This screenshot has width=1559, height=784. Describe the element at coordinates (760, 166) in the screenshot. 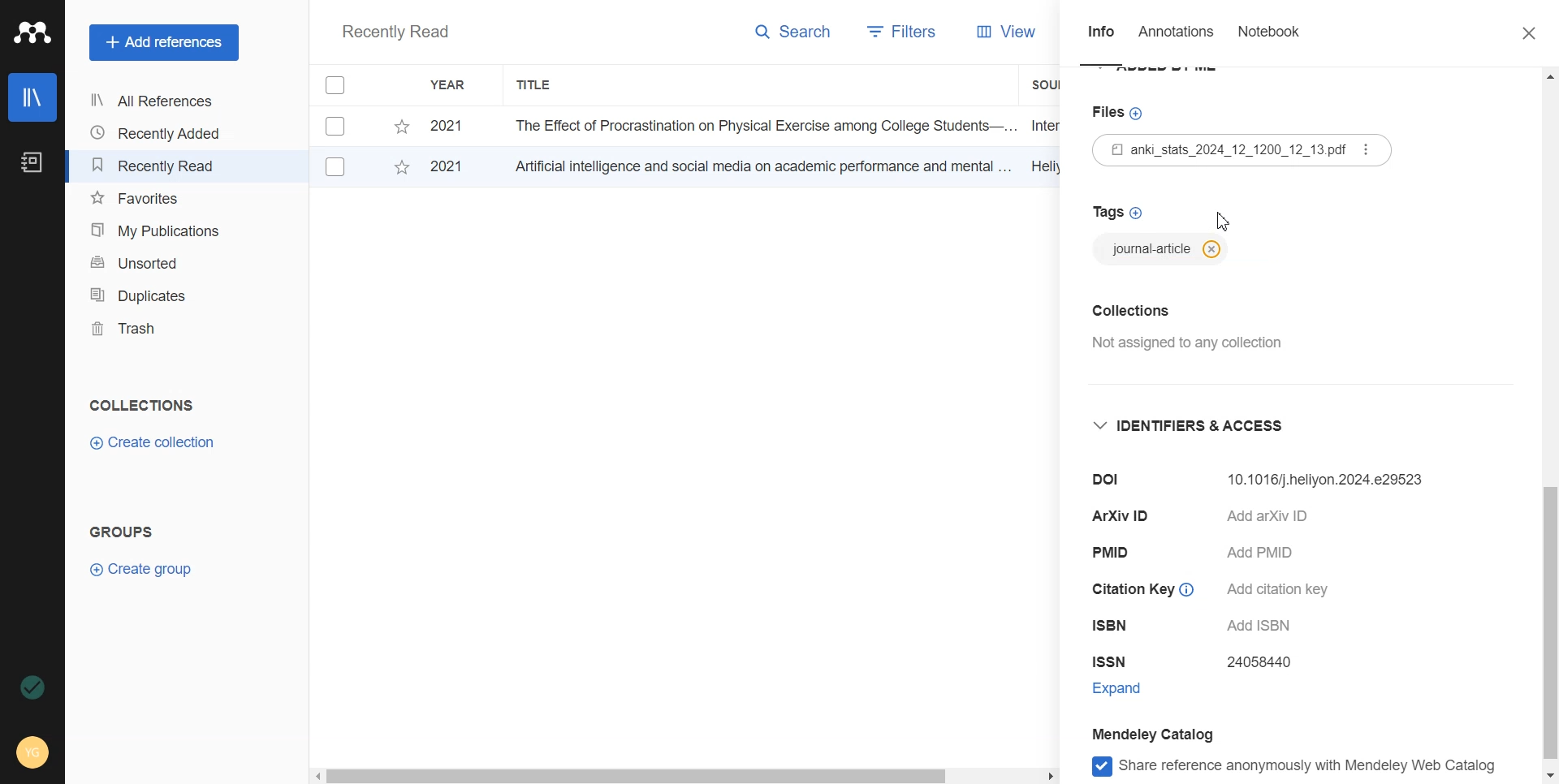

I see `Artificial intelligence and social media on academic performance and mental ...` at that location.